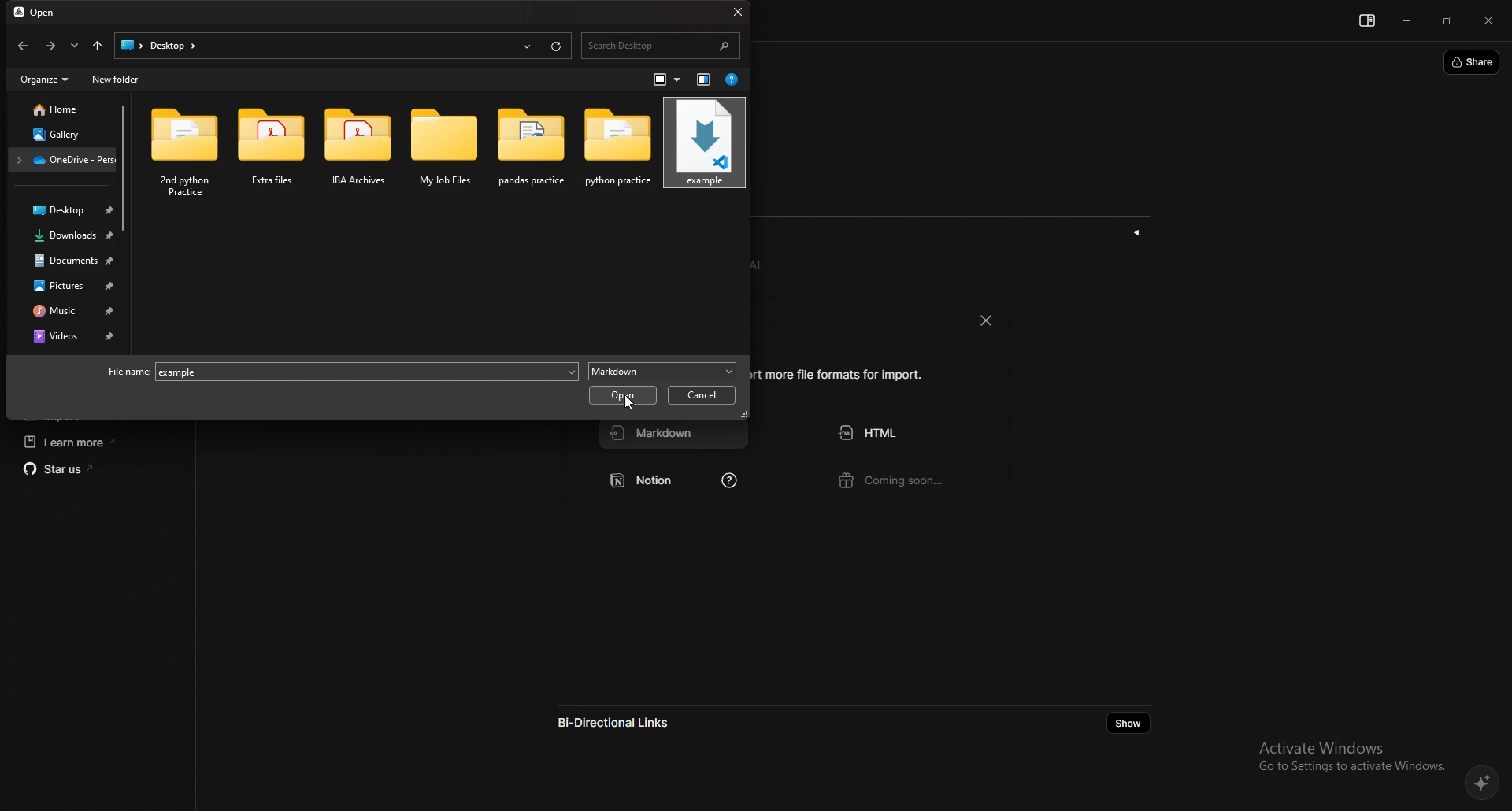  Describe the element at coordinates (95, 469) in the screenshot. I see `star us` at that location.